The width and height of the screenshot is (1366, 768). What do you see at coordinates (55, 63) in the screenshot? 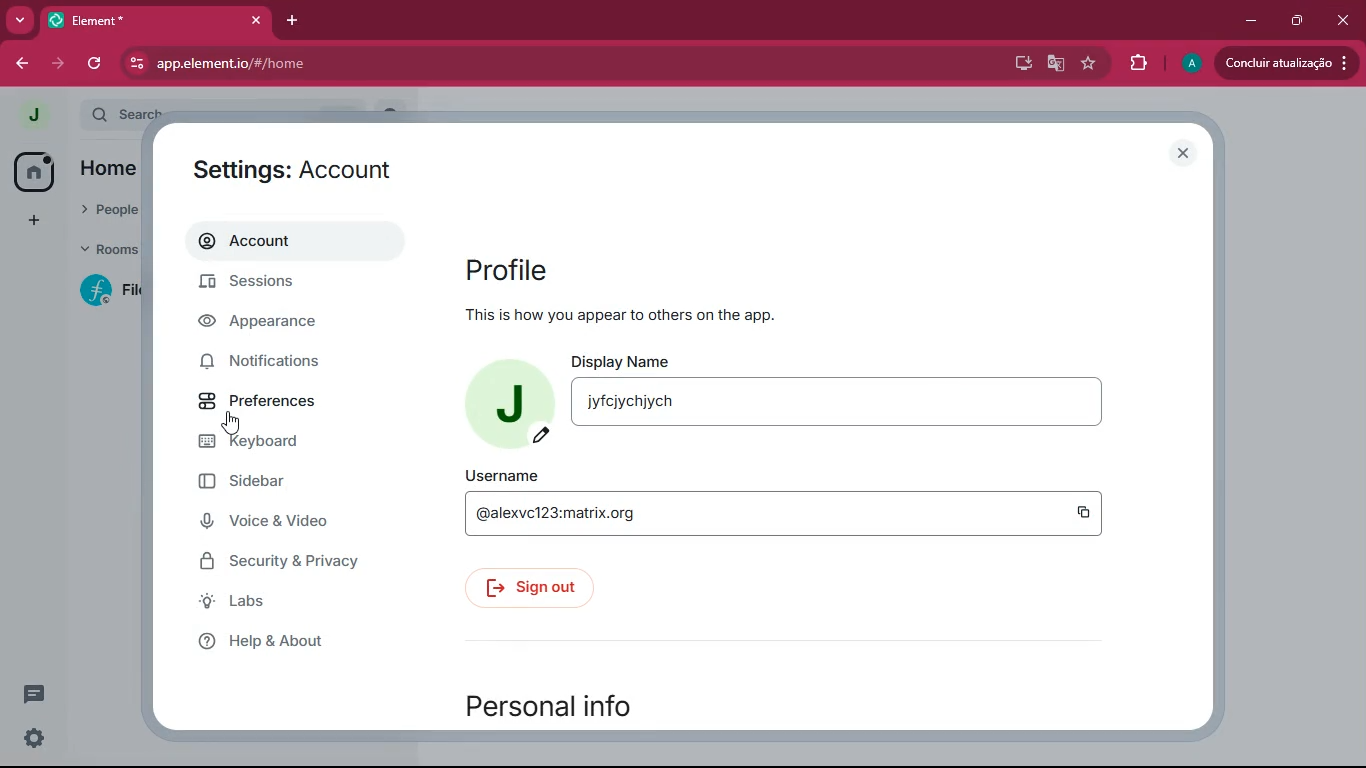
I see `forward` at bounding box center [55, 63].